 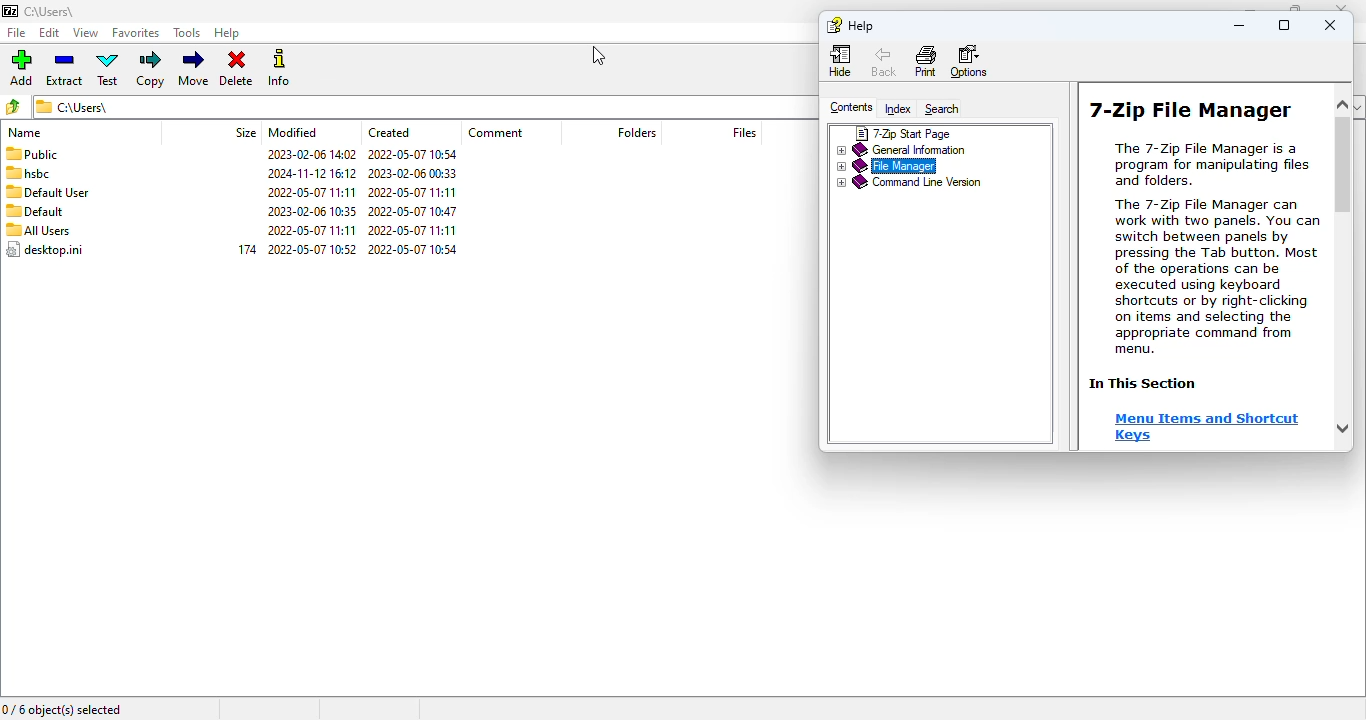 What do you see at coordinates (136, 33) in the screenshot?
I see `favorites` at bounding box center [136, 33].